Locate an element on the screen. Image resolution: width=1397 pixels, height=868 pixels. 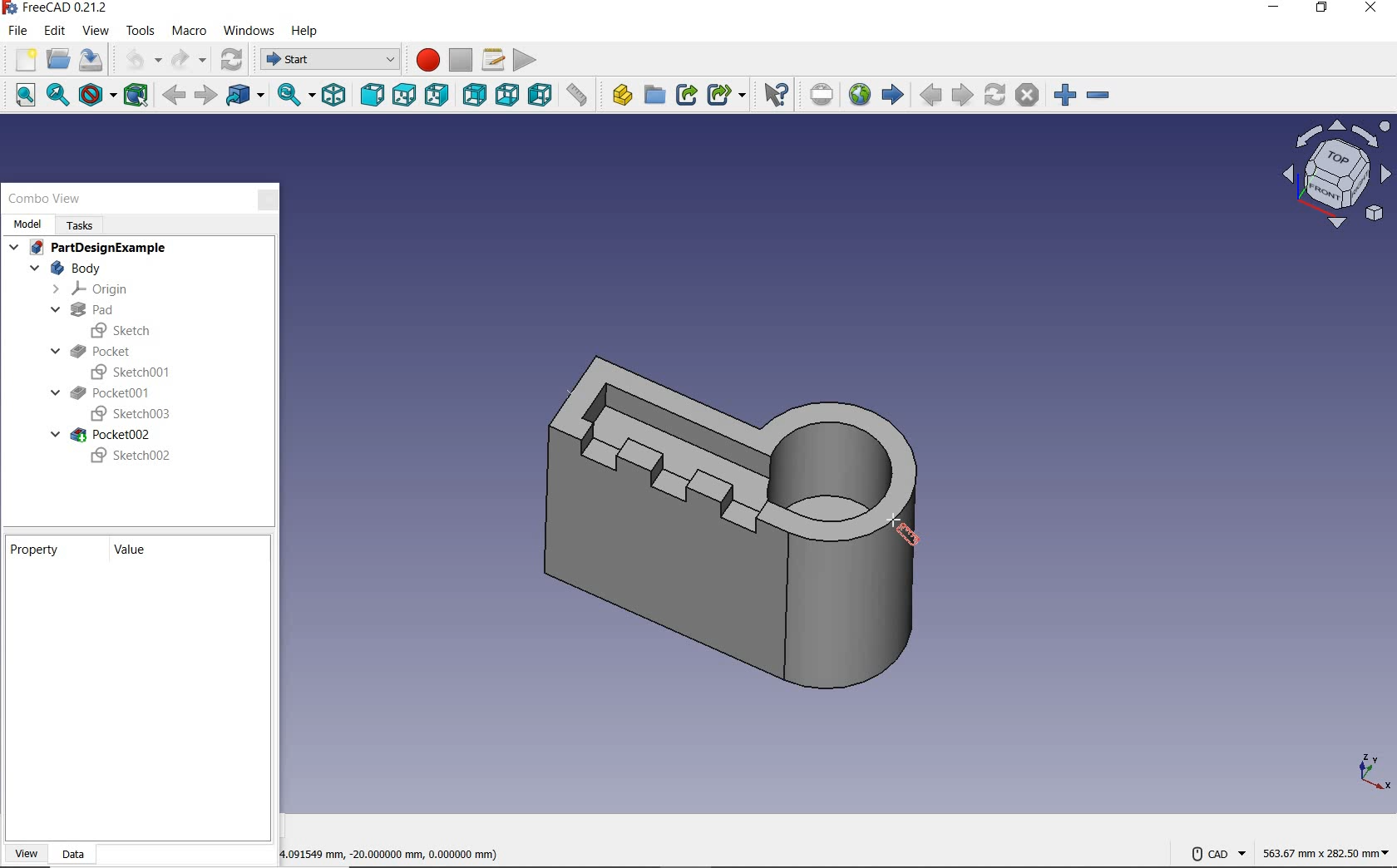
x,y,z axis is located at coordinates (1370, 772).